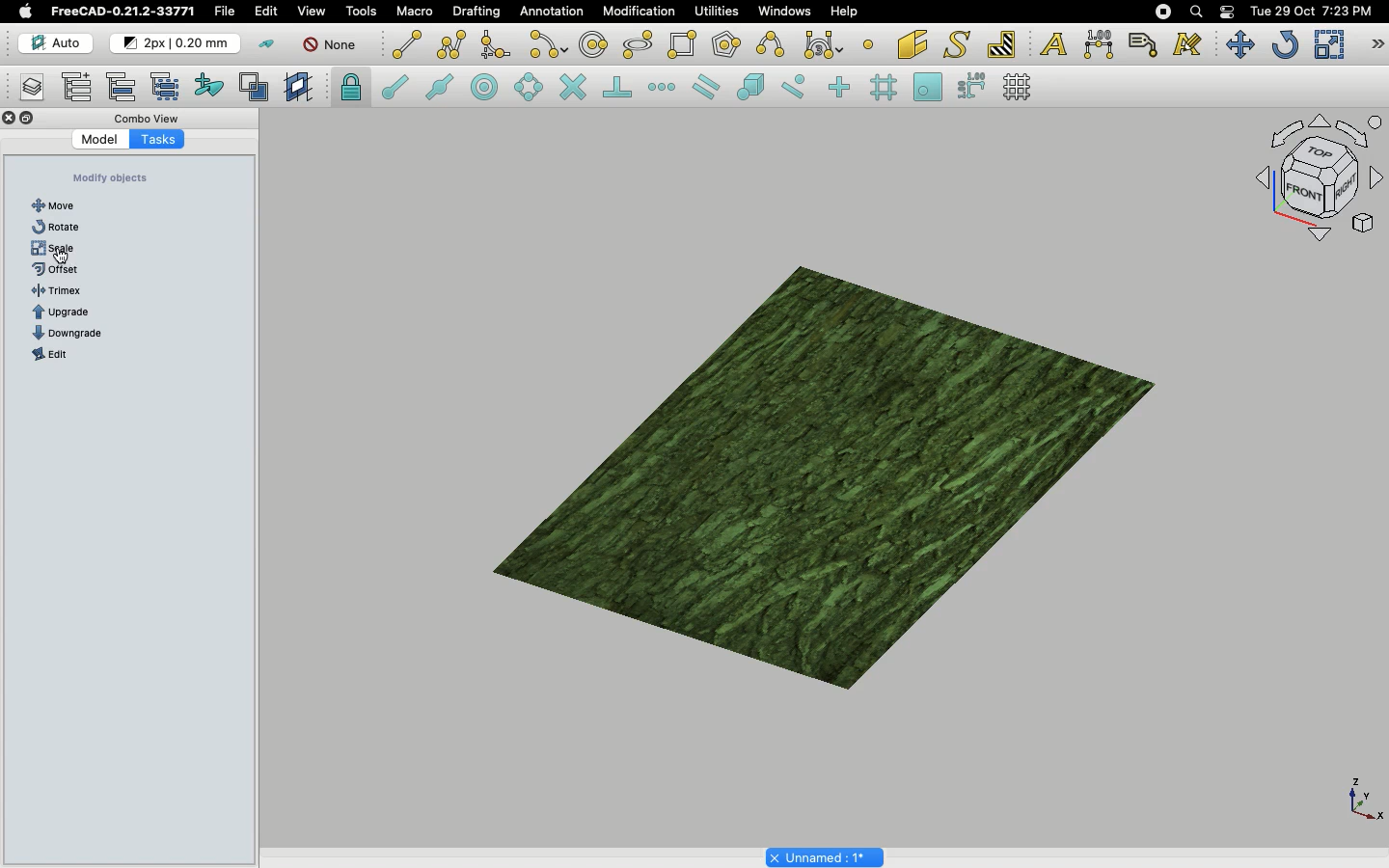  What do you see at coordinates (1195, 12) in the screenshot?
I see `Search` at bounding box center [1195, 12].